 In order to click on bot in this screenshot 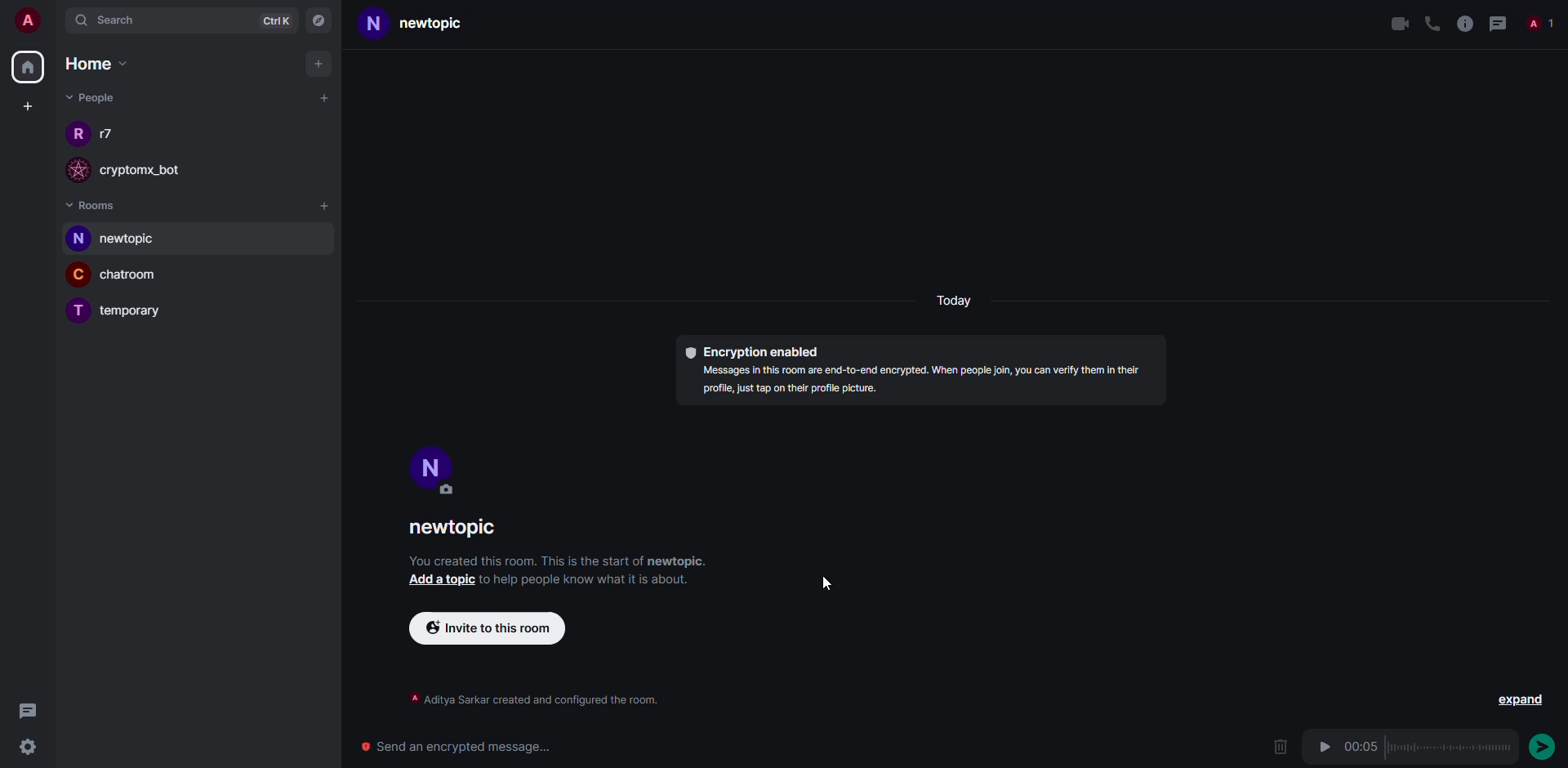, I will do `click(153, 170)`.